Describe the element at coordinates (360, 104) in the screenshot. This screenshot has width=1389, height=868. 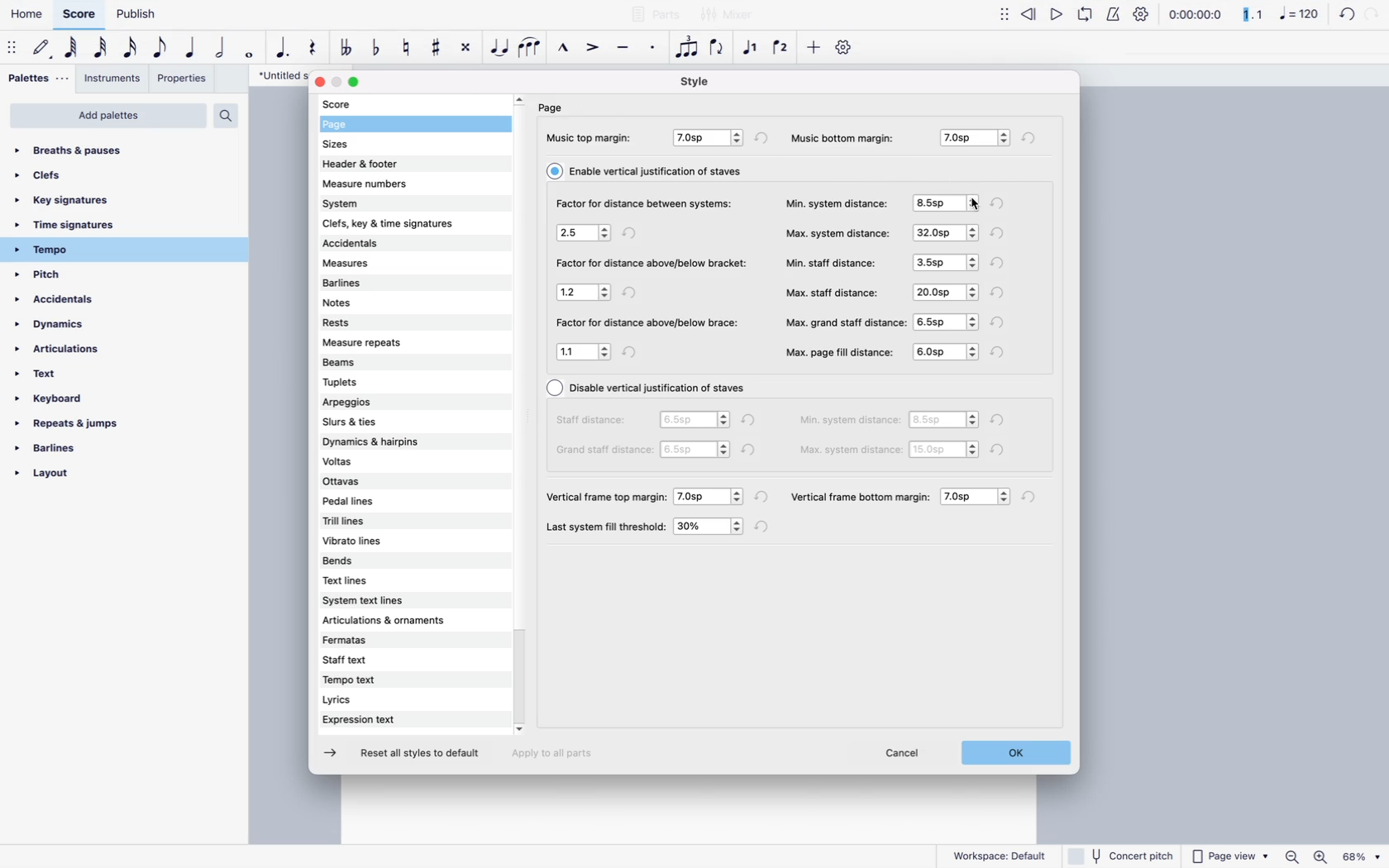
I see `score` at that location.